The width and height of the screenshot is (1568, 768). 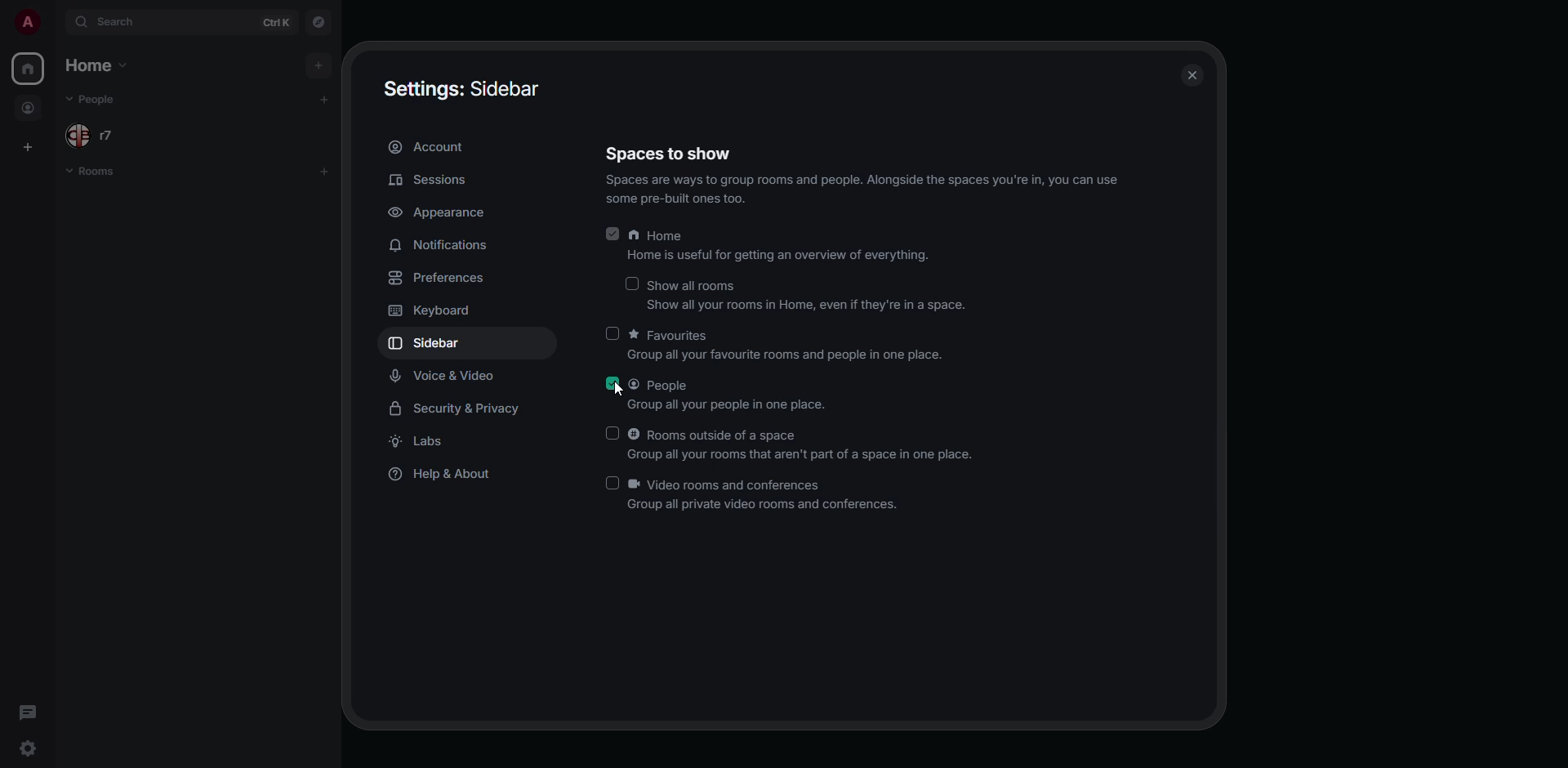 What do you see at coordinates (95, 64) in the screenshot?
I see `home` at bounding box center [95, 64].